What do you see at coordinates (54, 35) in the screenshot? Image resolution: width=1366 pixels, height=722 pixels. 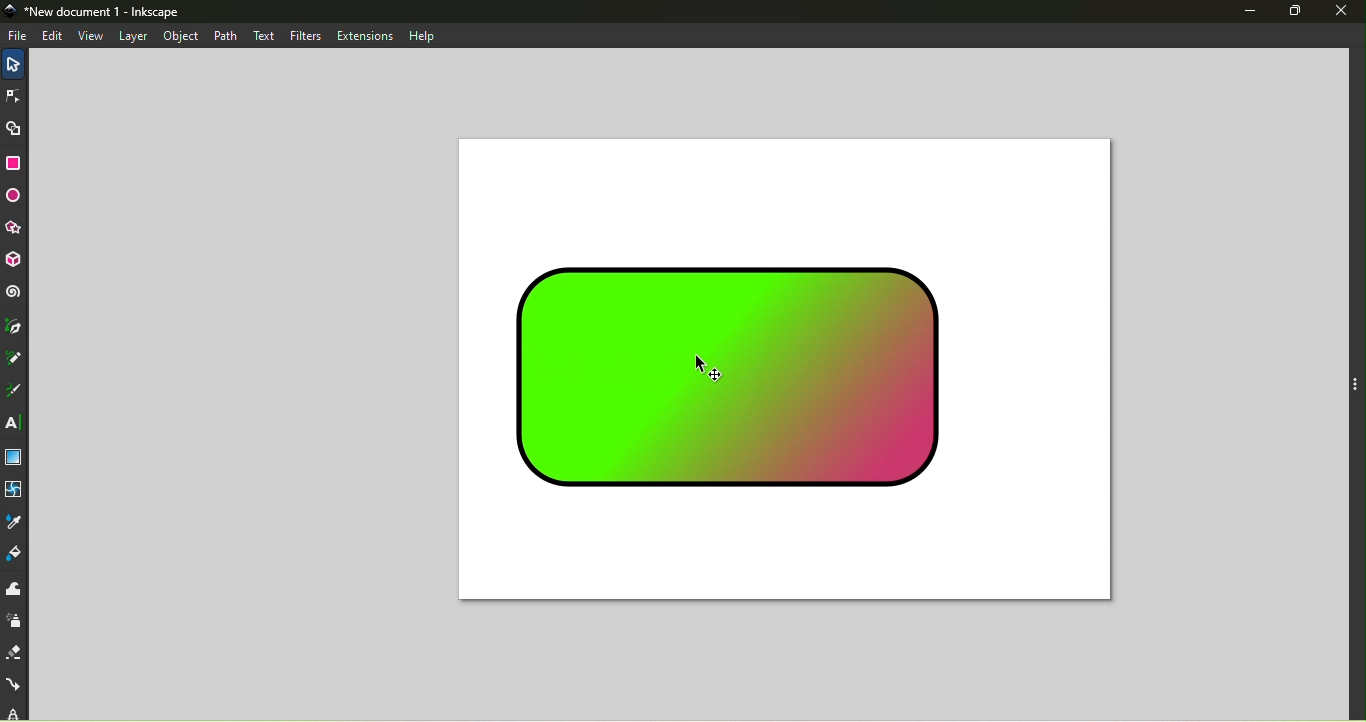 I see `edit` at bounding box center [54, 35].